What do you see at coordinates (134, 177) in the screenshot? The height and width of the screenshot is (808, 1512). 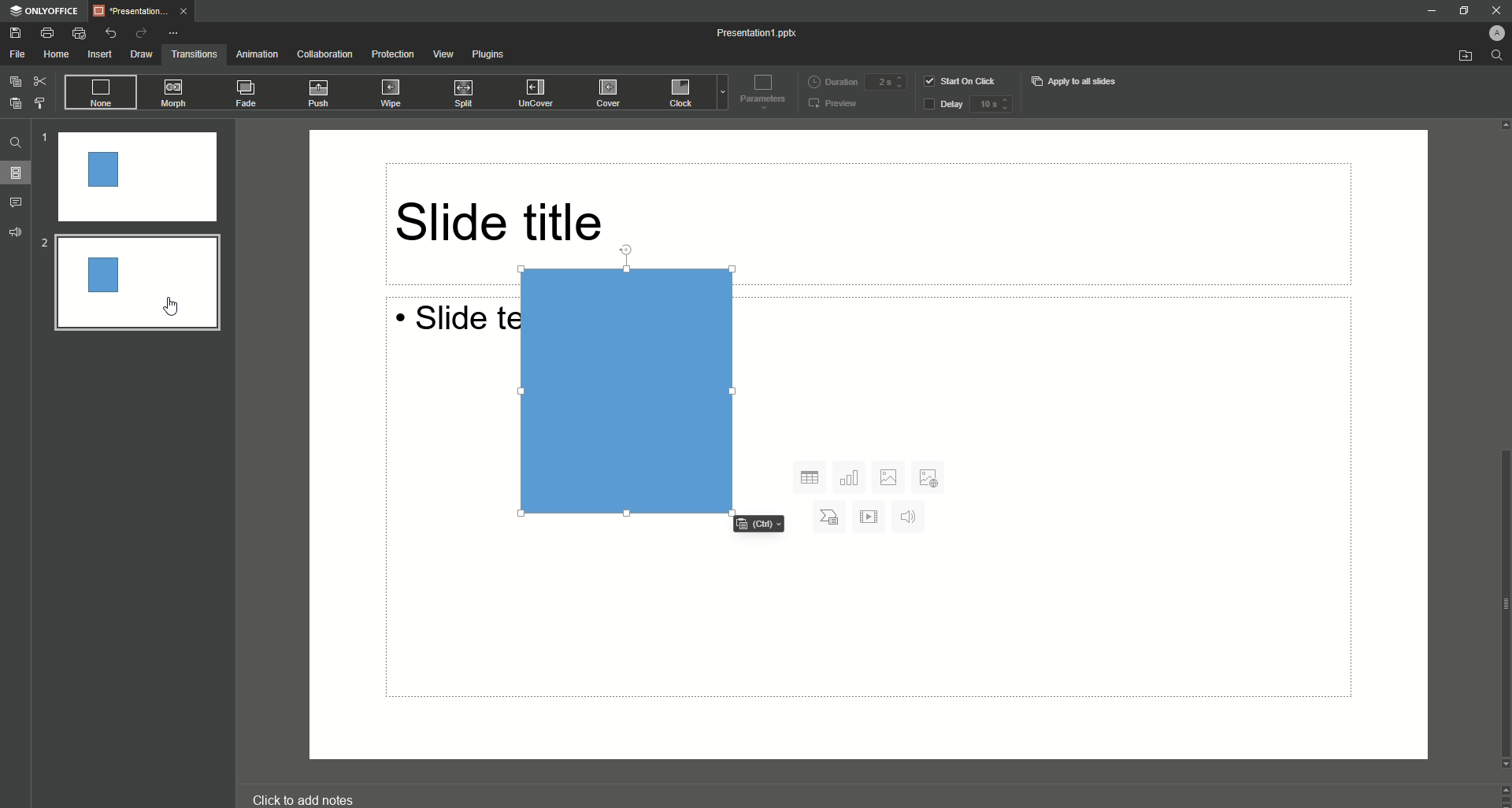 I see `Slide 1 preview` at bounding box center [134, 177].